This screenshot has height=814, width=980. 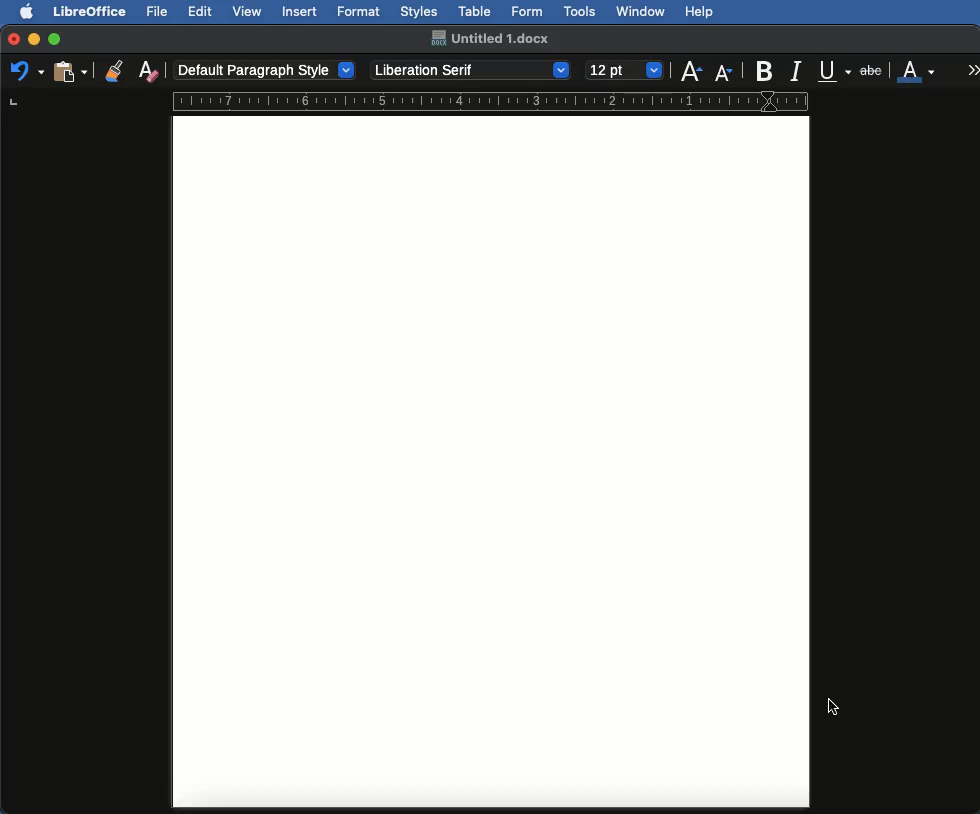 What do you see at coordinates (472, 70) in the screenshot?
I see `Font style` at bounding box center [472, 70].